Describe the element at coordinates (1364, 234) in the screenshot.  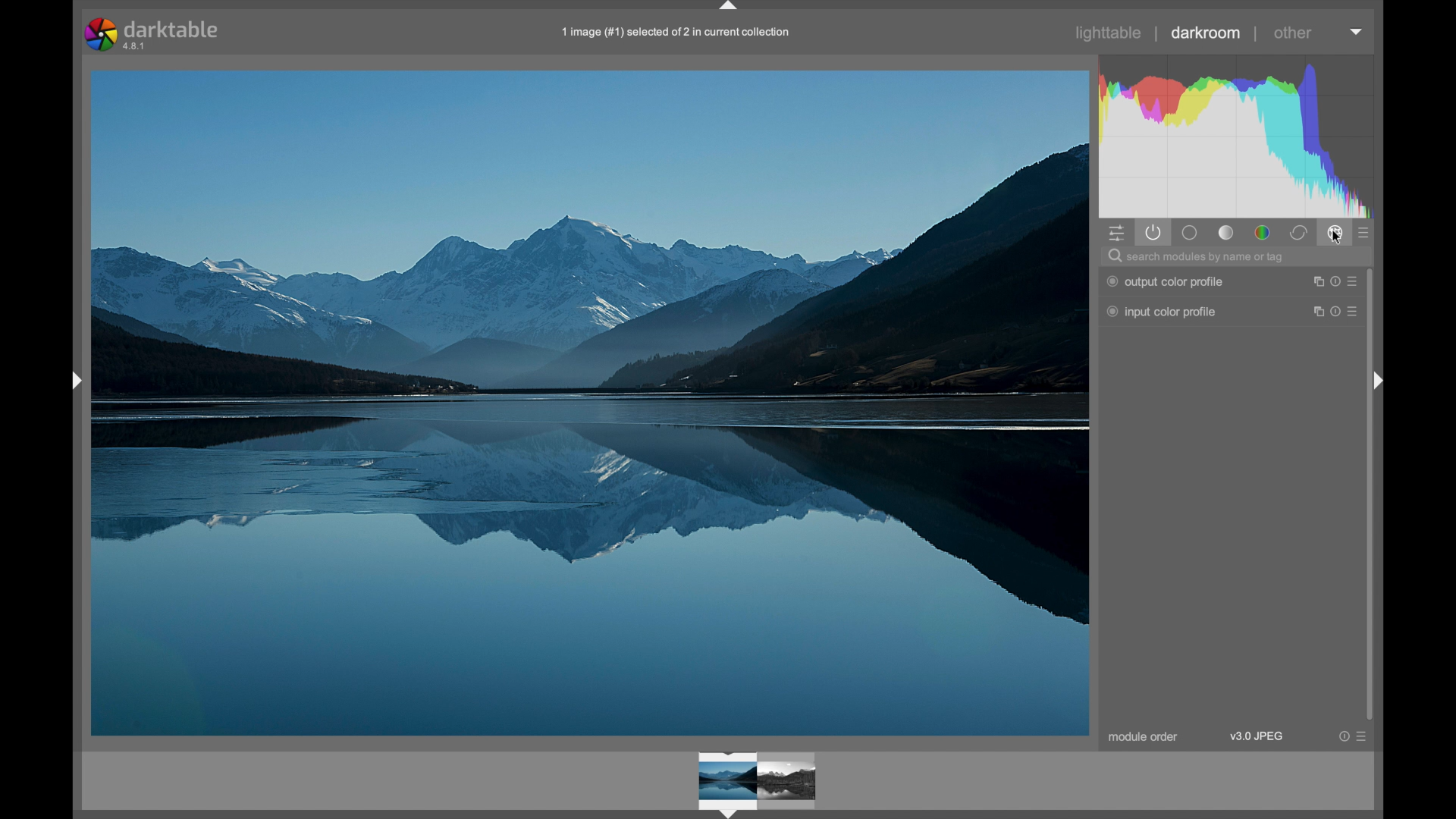
I see `presets` at that location.